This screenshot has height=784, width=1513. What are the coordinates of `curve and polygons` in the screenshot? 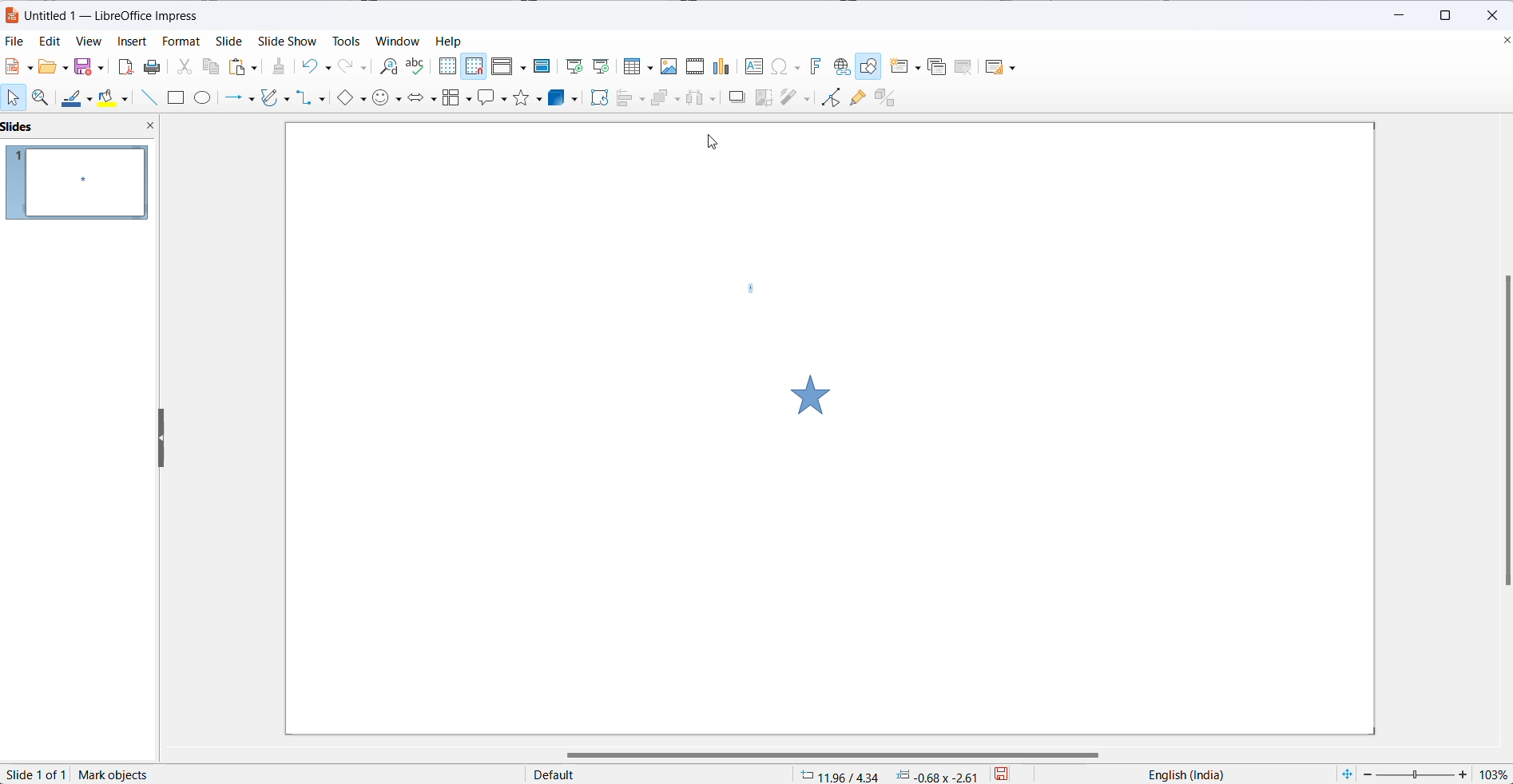 It's located at (276, 100).